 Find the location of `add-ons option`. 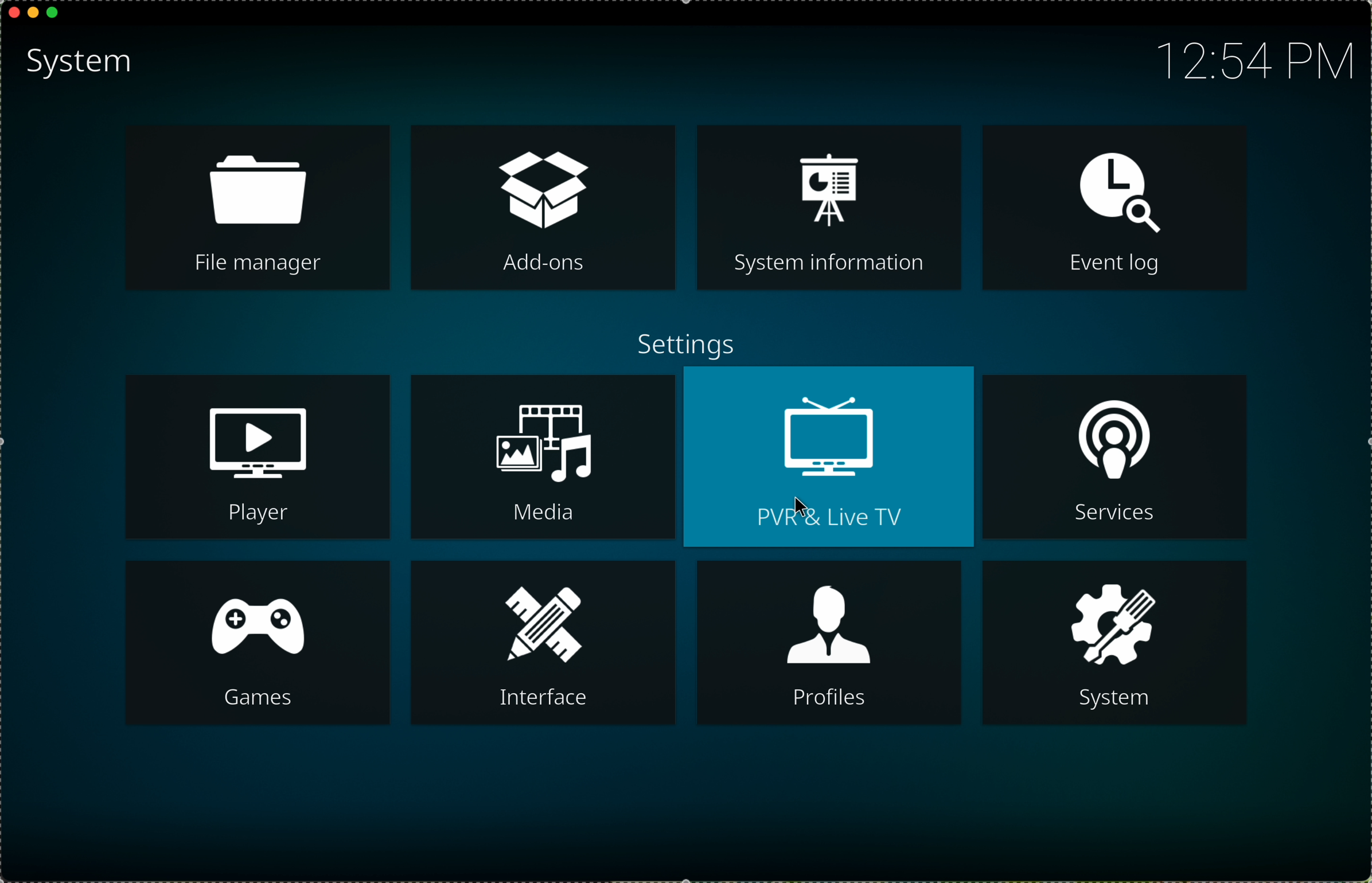

add-ons option is located at coordinates (545, 208).